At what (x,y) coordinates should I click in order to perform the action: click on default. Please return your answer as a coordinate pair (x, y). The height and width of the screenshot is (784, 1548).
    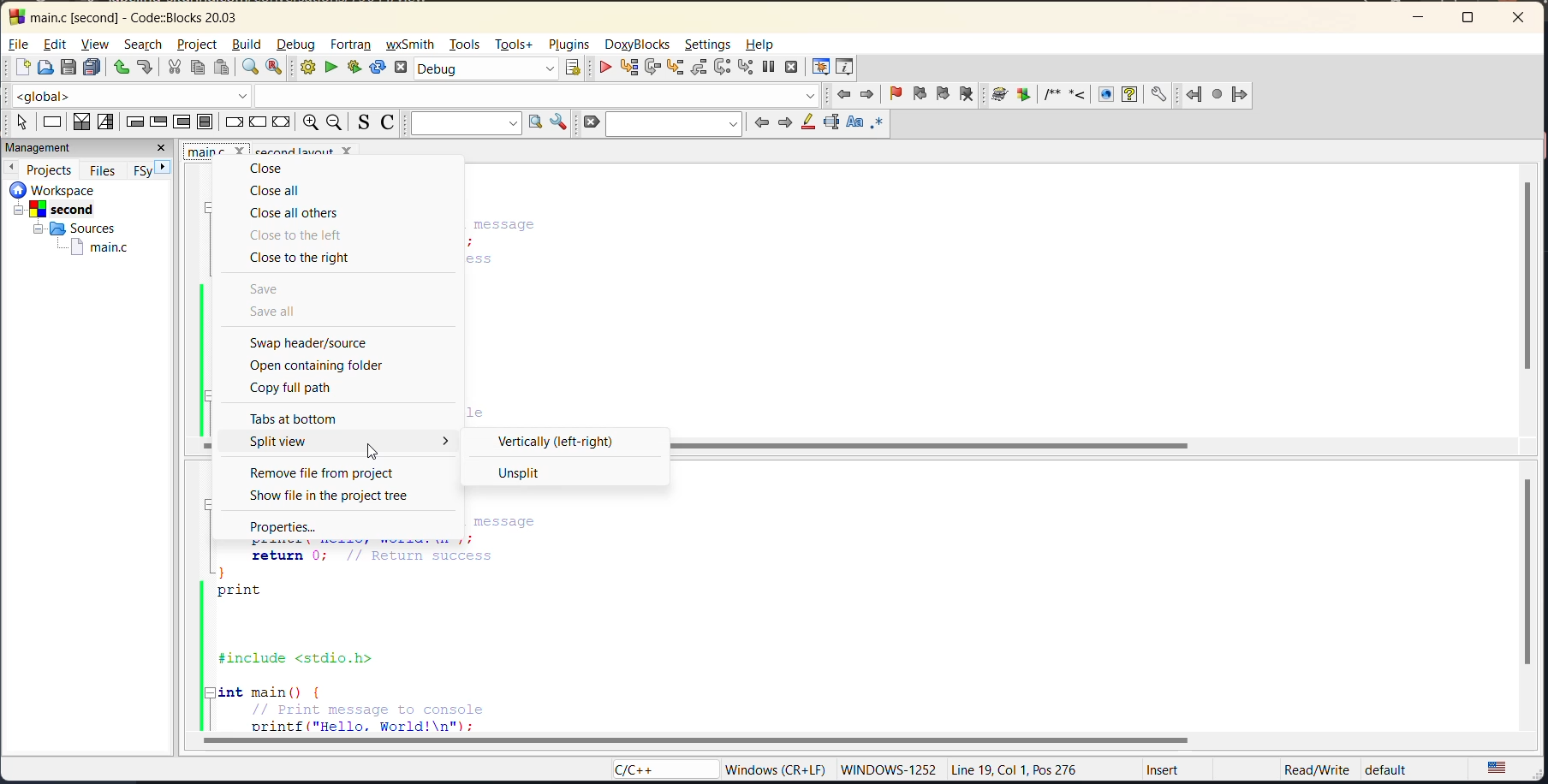
    Looking at the image, I should click on (1388, 767).